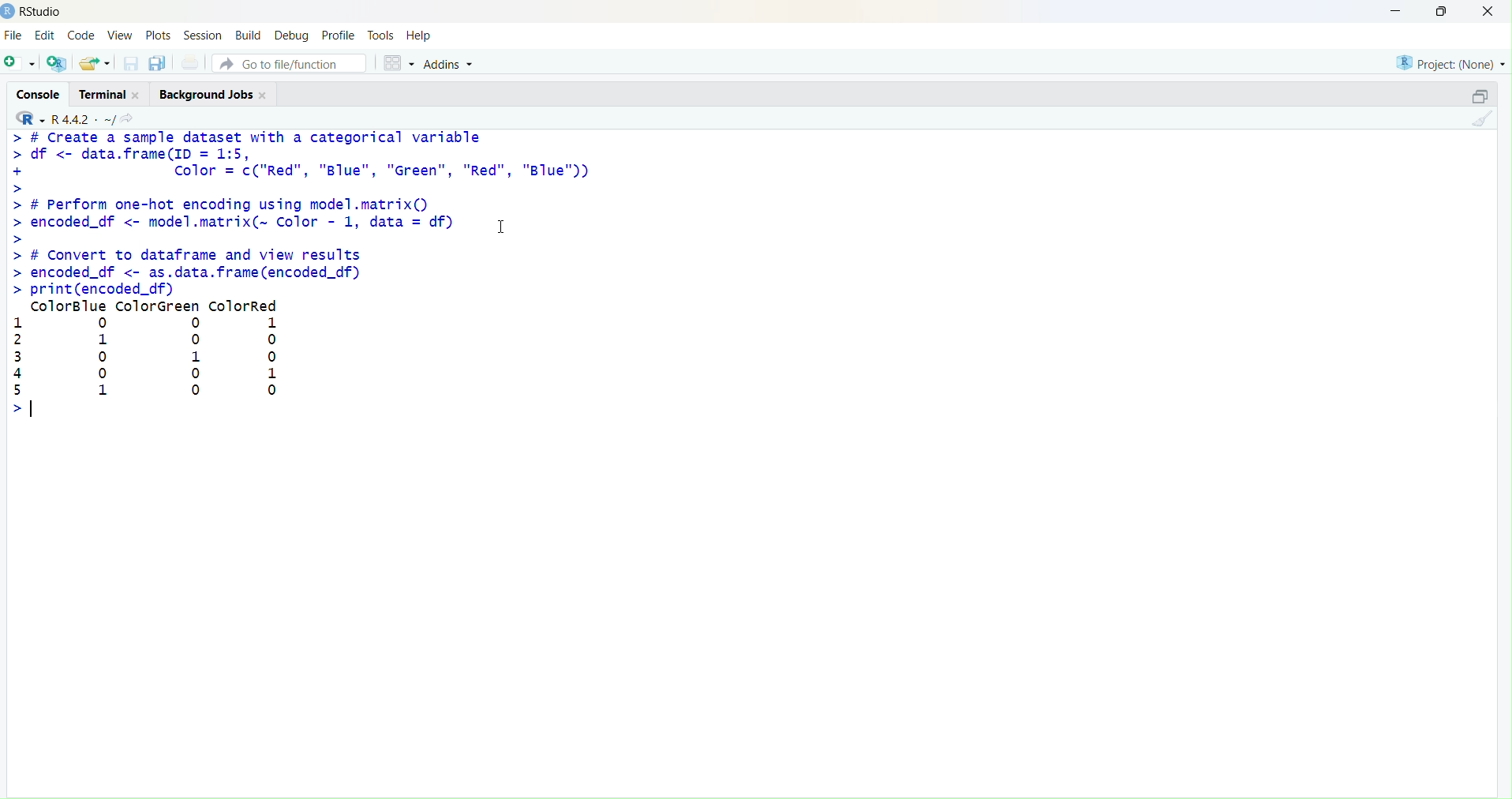 Image resolution: width=1512 pixels, height=799 pixels. I want to click on clean, so click(1482, 118).